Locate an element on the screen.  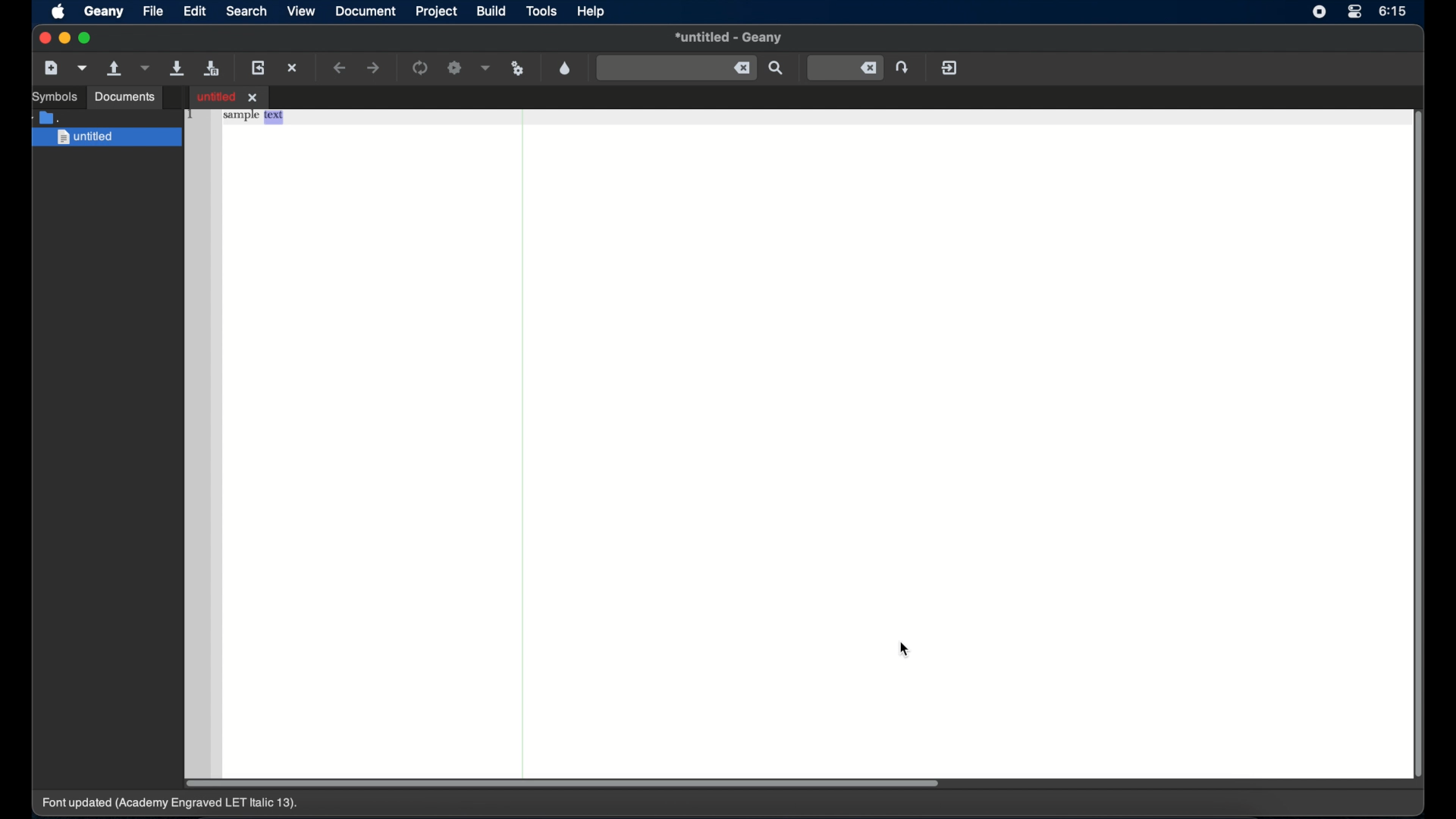
find the entered text in the current file is located at coordinates (676, 67).